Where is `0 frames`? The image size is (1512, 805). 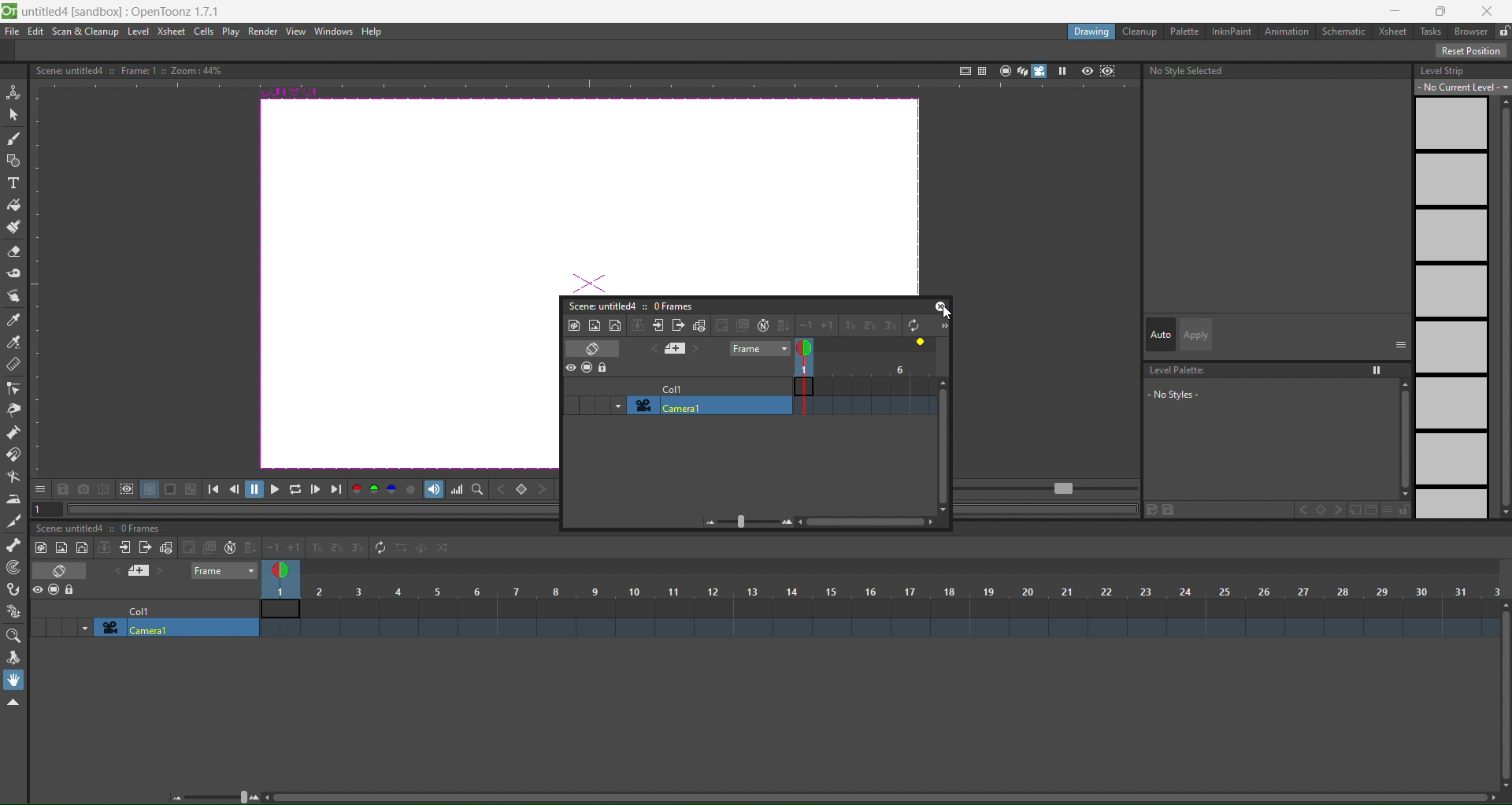
0 frames is located at coordinates (145, 529).